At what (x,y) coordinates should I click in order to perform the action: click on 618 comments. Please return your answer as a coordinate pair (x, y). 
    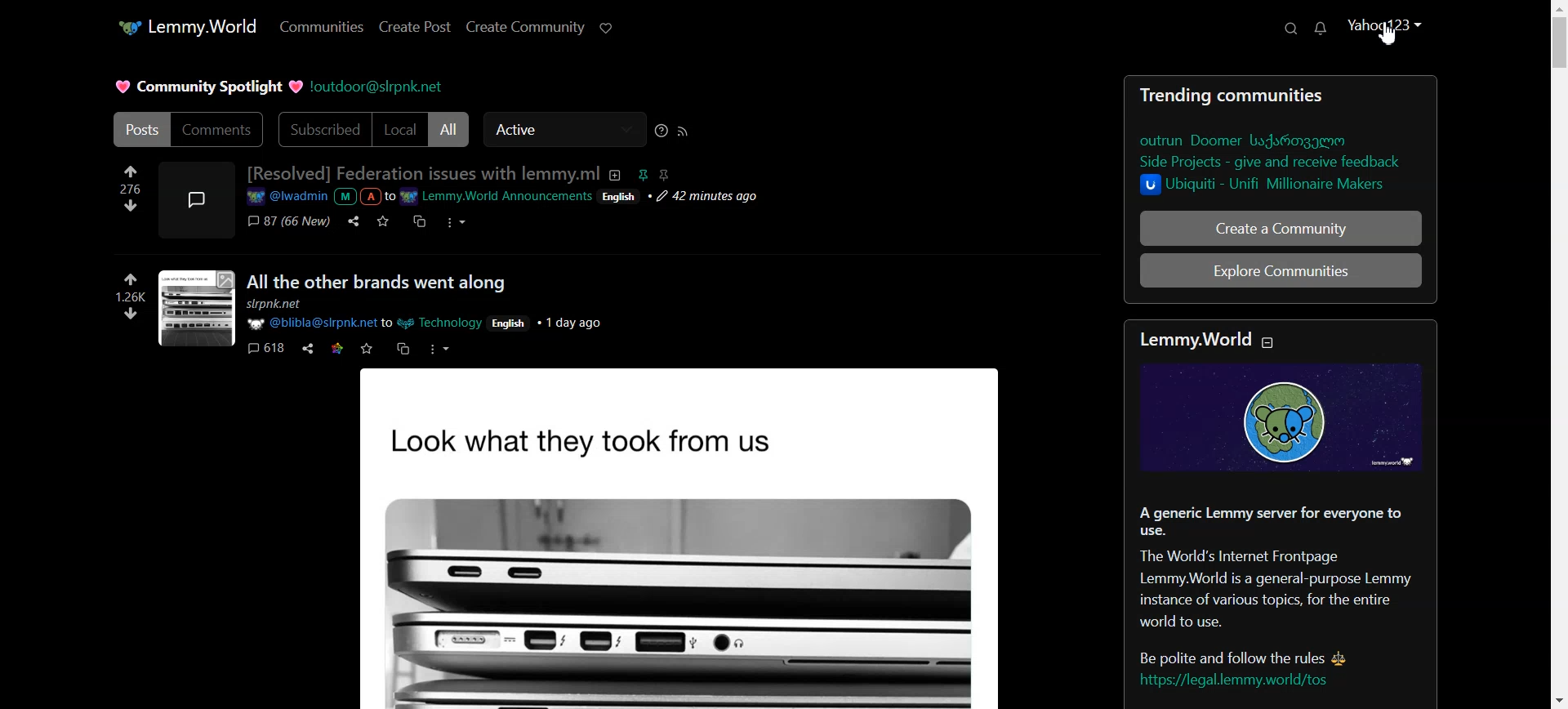
    Looking at the image, I should click on (264, 350).